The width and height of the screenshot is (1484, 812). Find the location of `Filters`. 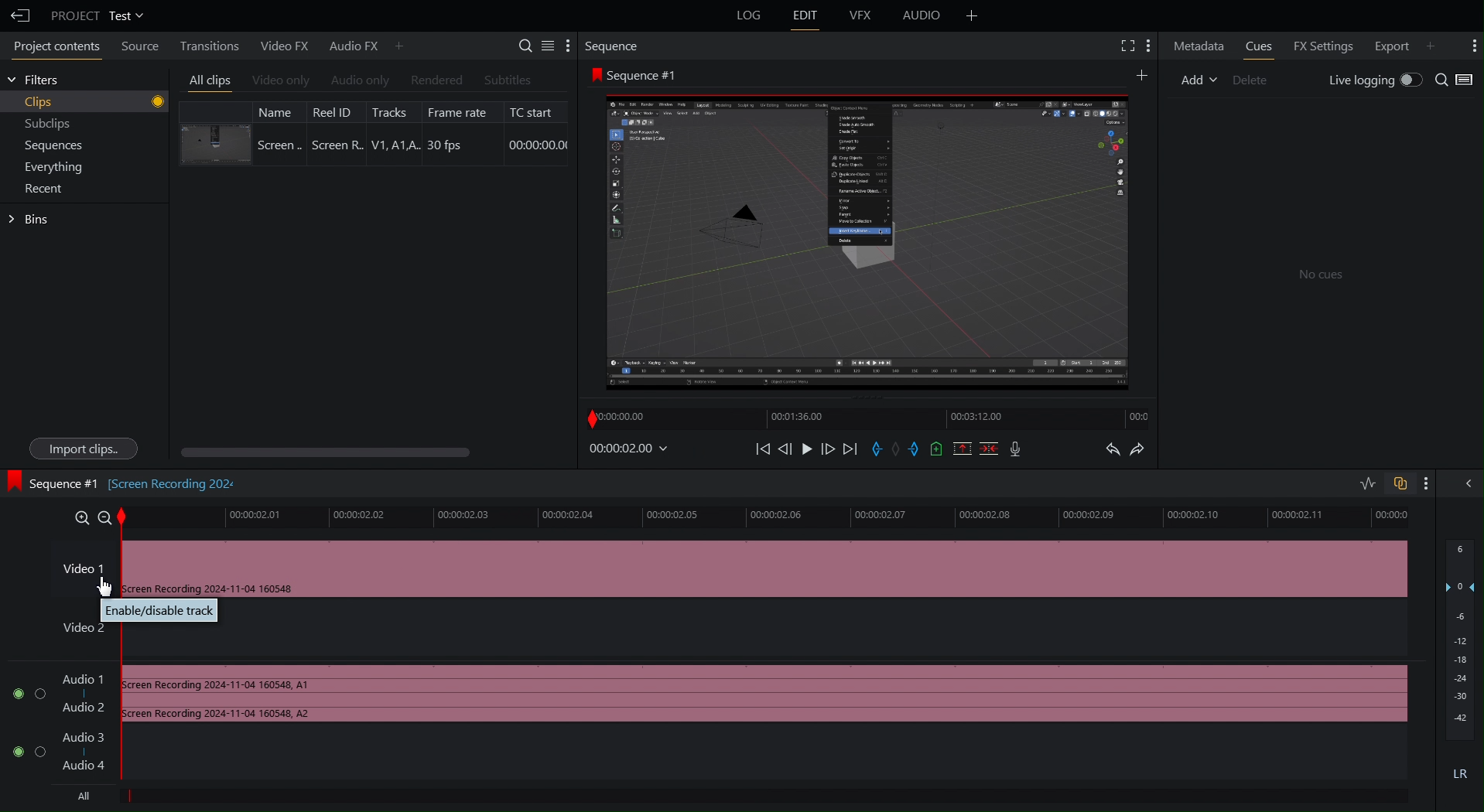

Filters is located at coordinates (39, 82).